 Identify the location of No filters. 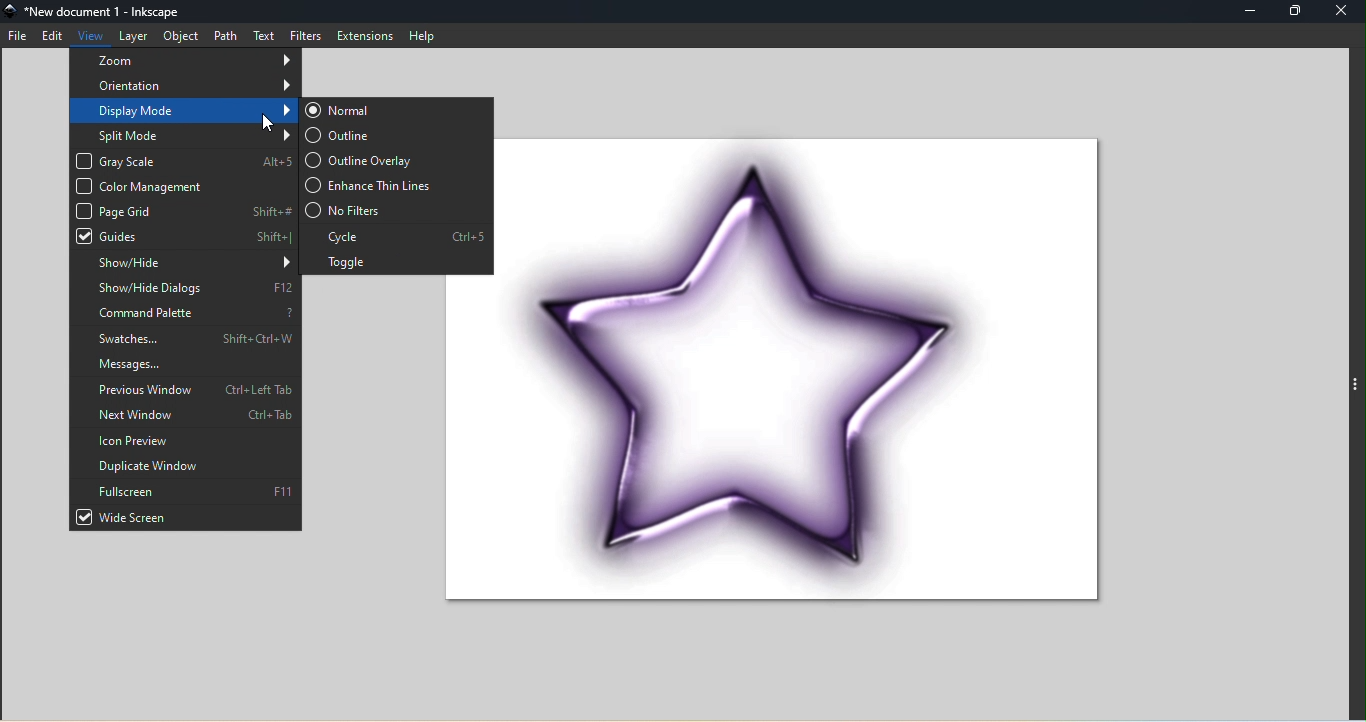
(392, 210).